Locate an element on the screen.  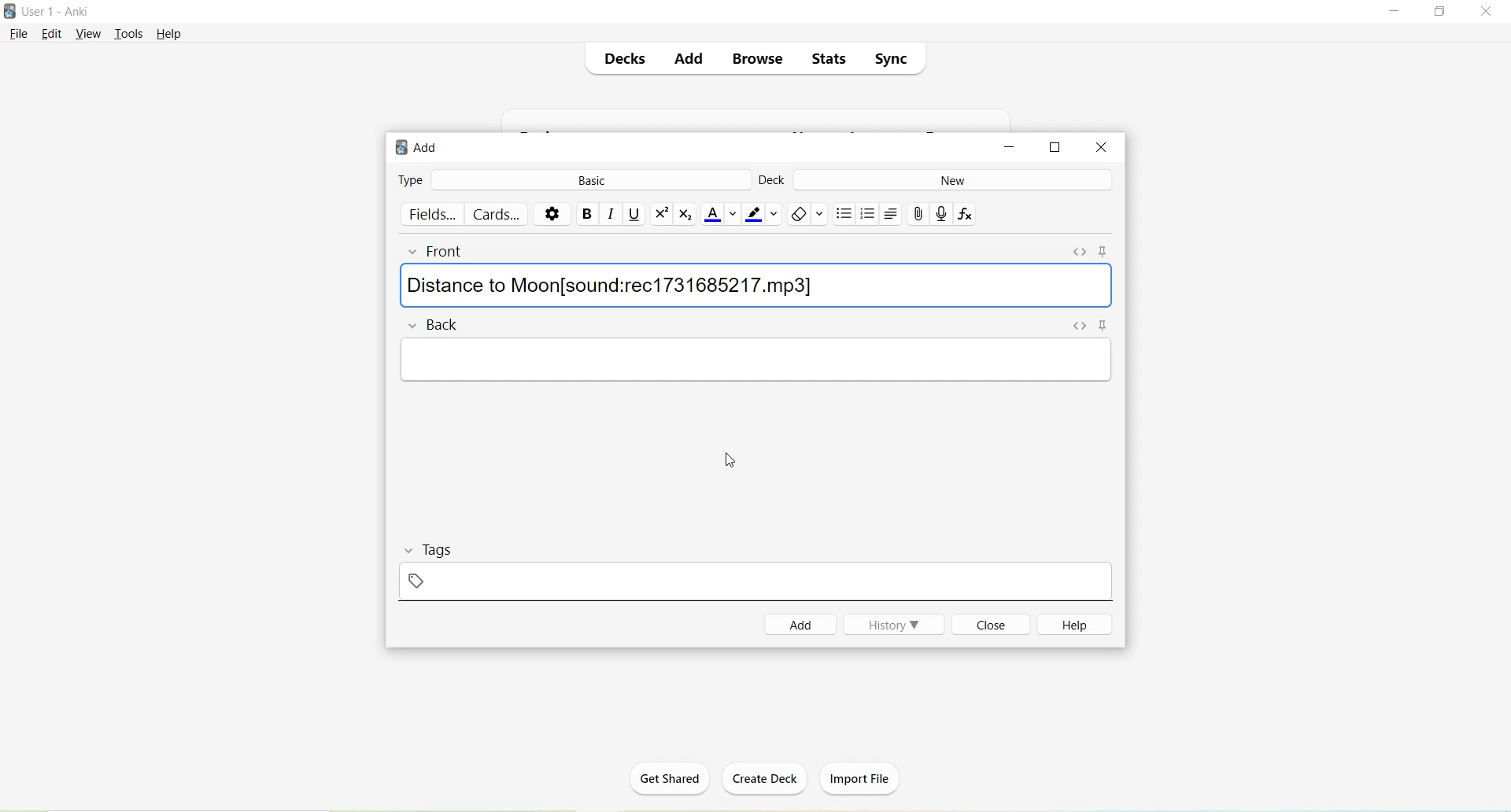
Stats is located at coordinates (826, 59).